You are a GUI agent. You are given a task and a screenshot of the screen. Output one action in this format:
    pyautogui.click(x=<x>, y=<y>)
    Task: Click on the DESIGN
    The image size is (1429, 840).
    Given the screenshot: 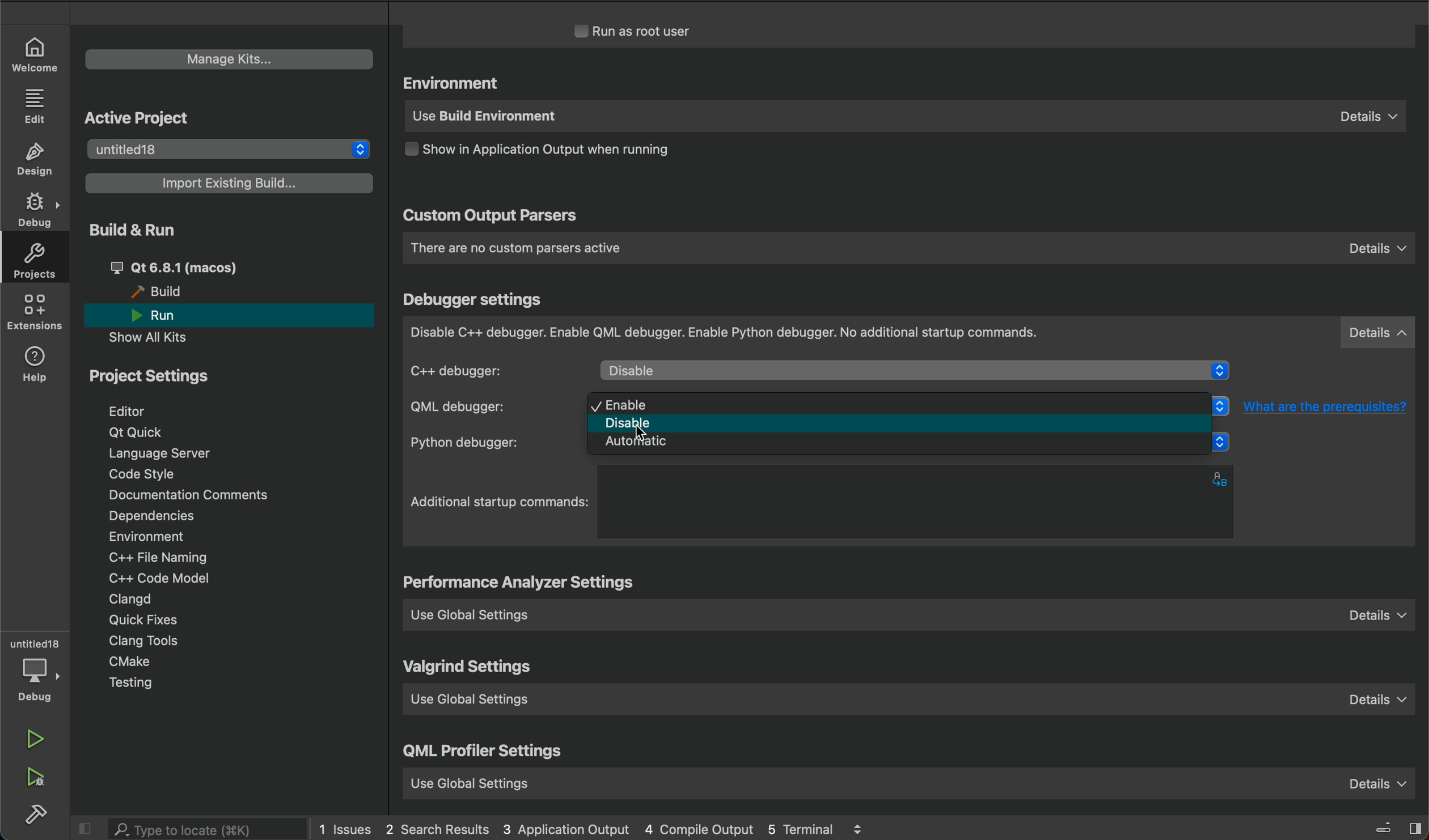 What is the action you would take?
    pyautogui.click(x=39, y=160)
    